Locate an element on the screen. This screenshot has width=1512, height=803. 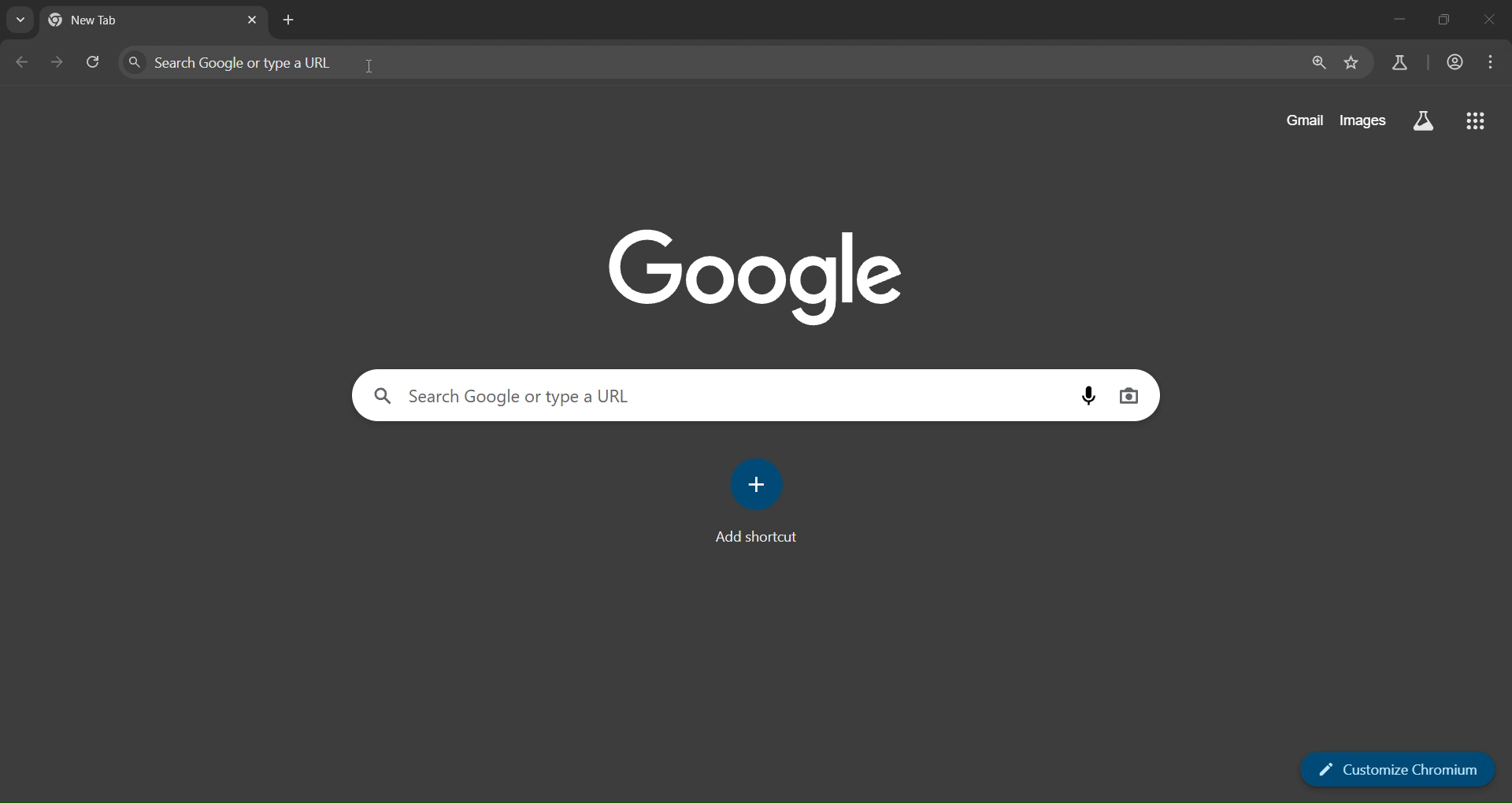
google is located at coordinates (764, 276).